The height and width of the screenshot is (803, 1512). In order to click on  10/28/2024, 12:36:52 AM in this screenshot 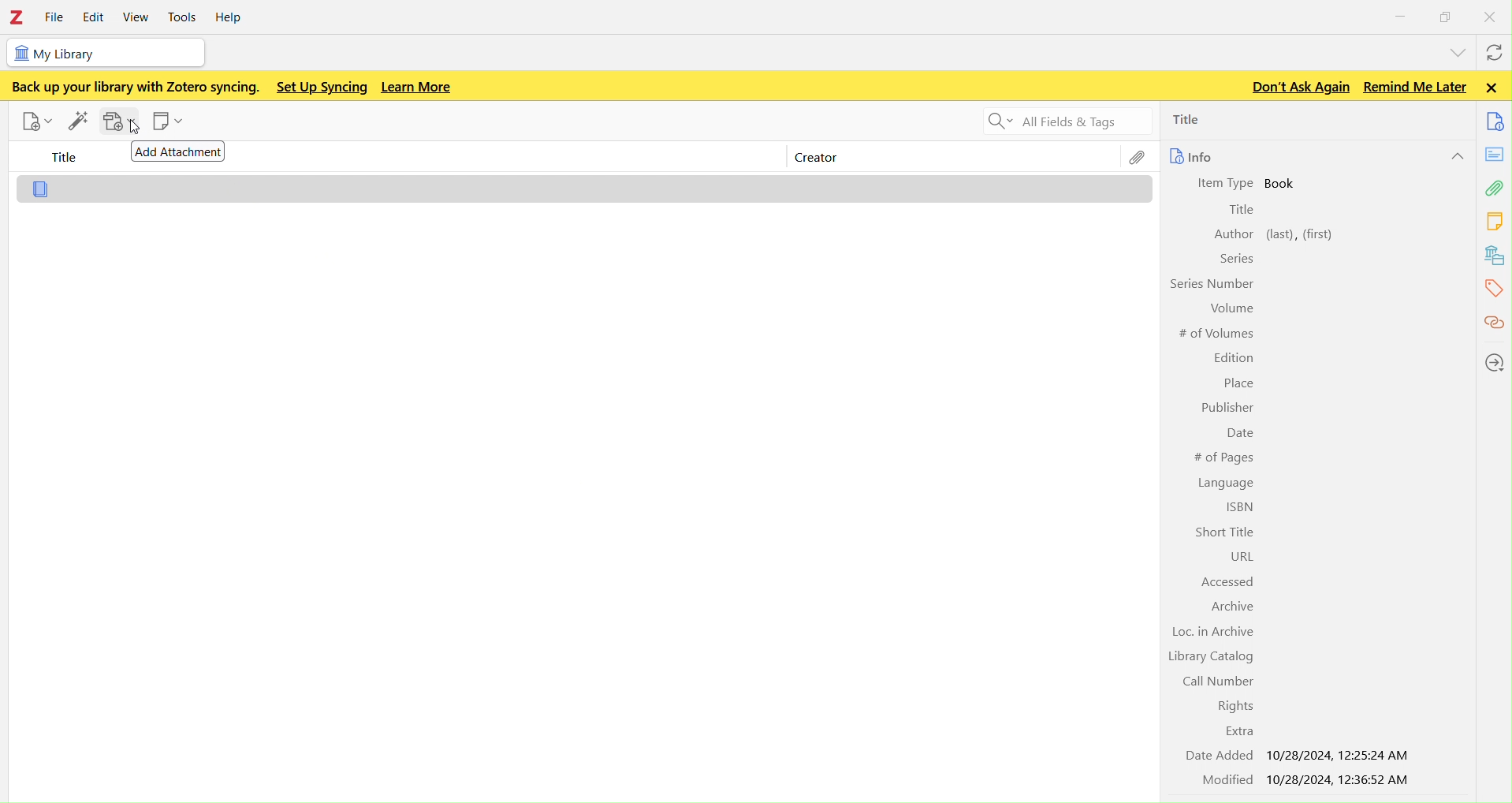, I will do `click(1341, 781)`.